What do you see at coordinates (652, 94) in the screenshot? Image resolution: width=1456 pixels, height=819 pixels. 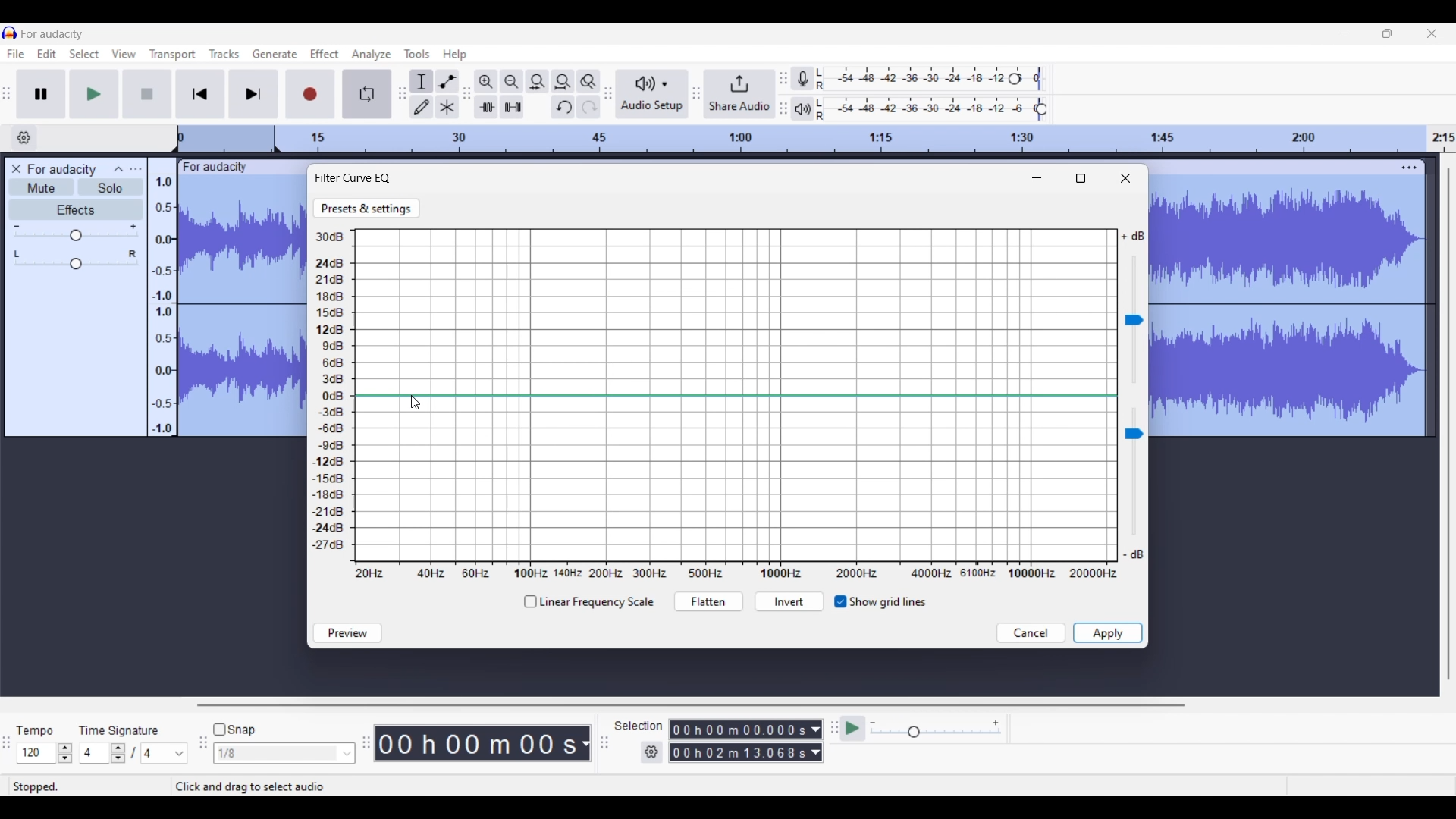 I see `Audio setup` at bounding box center [652, 94].